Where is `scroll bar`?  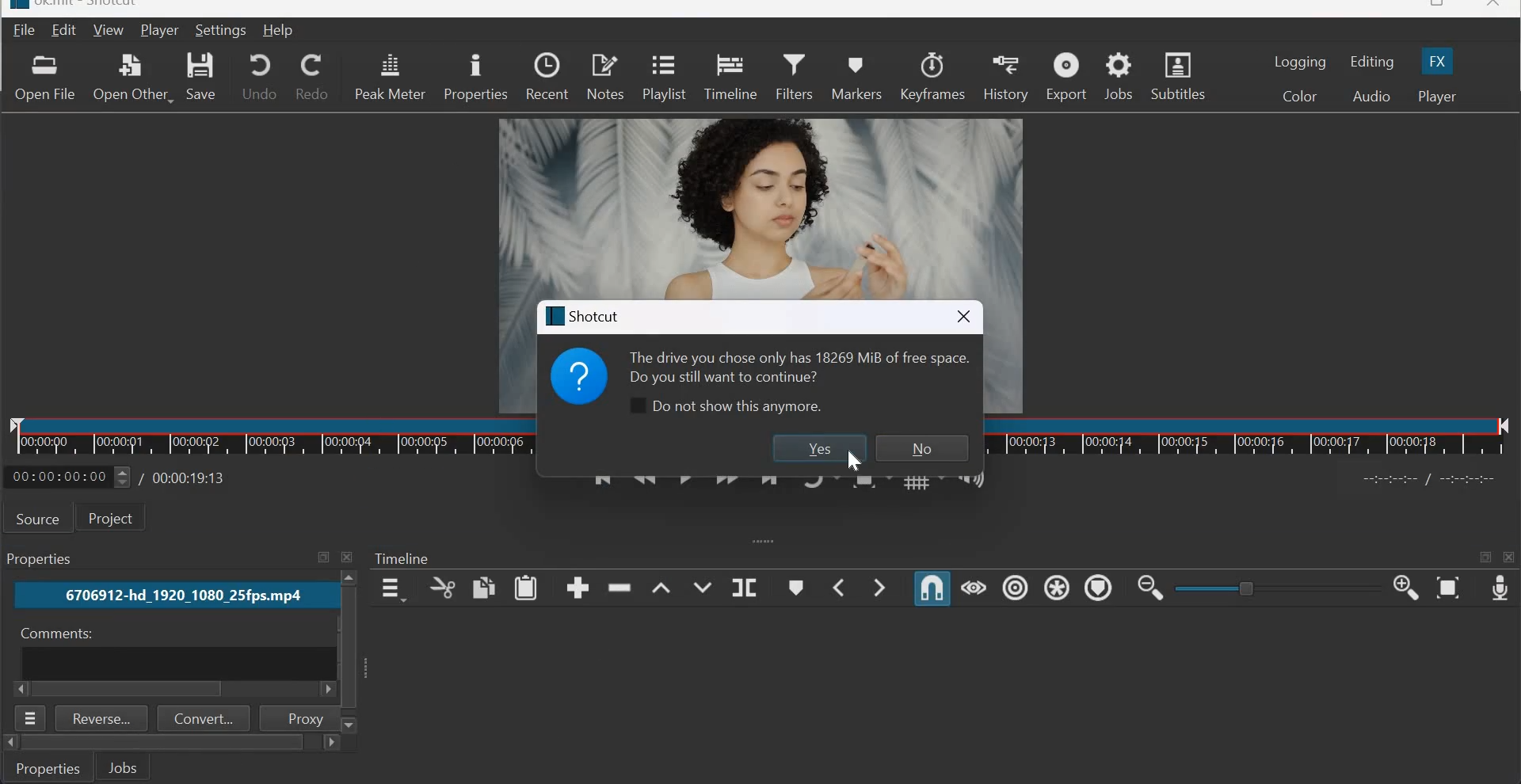
scroll bar is located at coordinates (131, 690).